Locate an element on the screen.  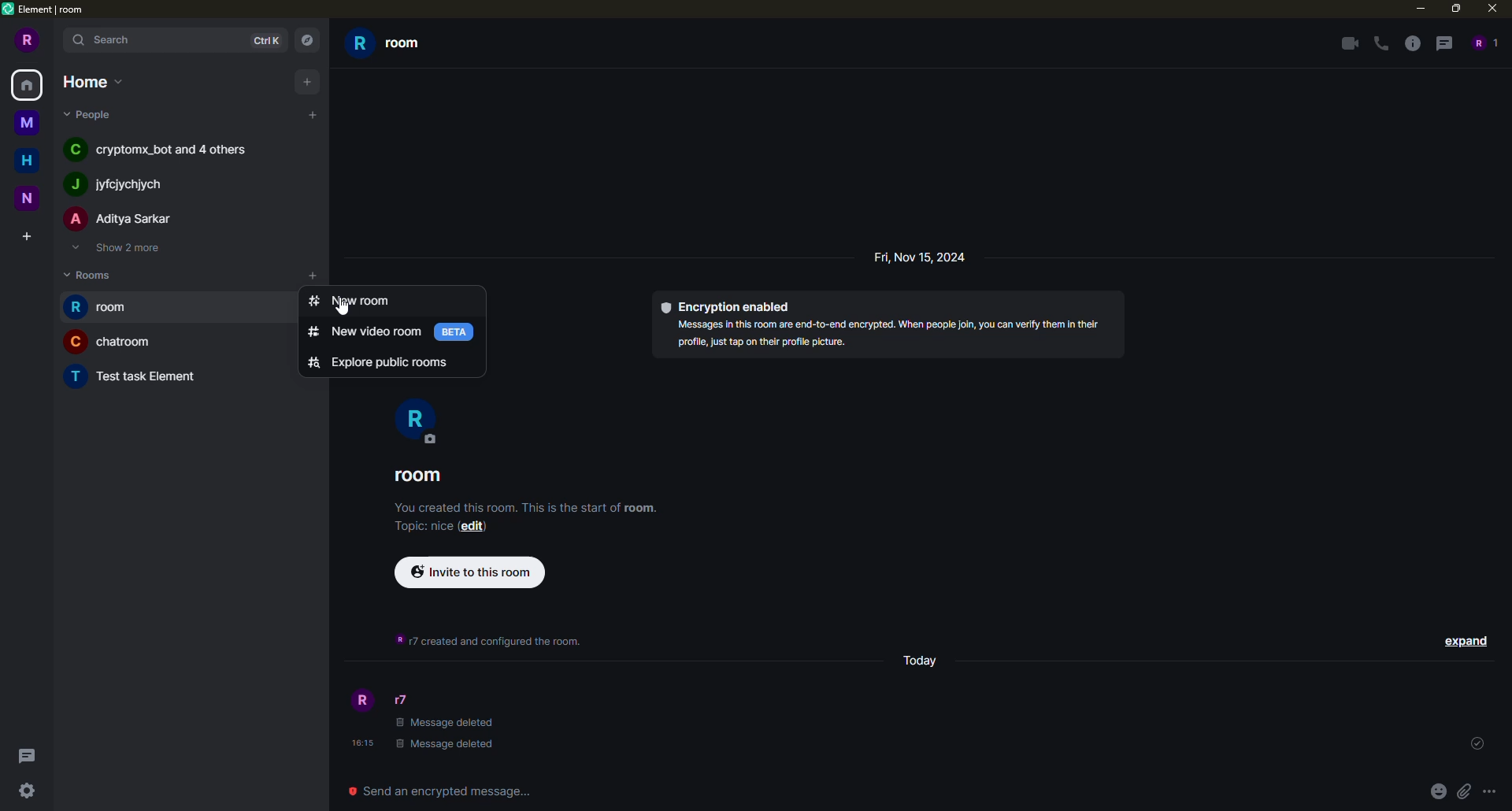
ctrlK is located at coordinates (265, 41).